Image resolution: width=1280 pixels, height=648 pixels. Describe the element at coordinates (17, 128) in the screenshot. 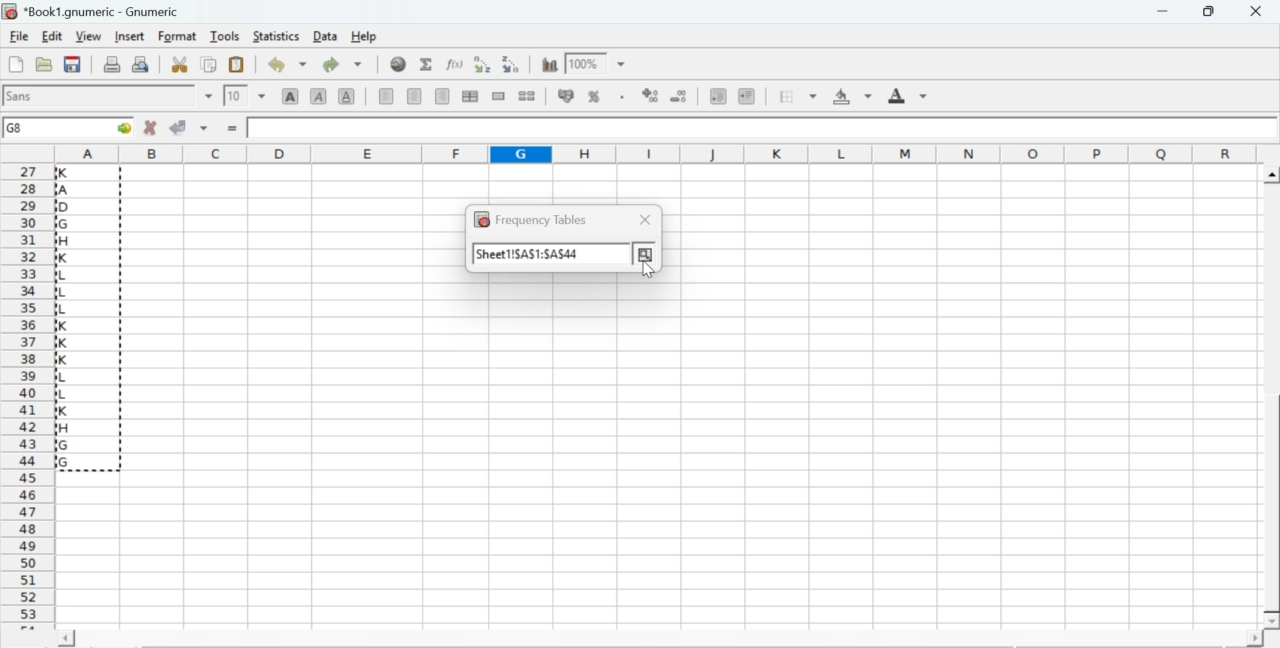

I see `G8` at that location.